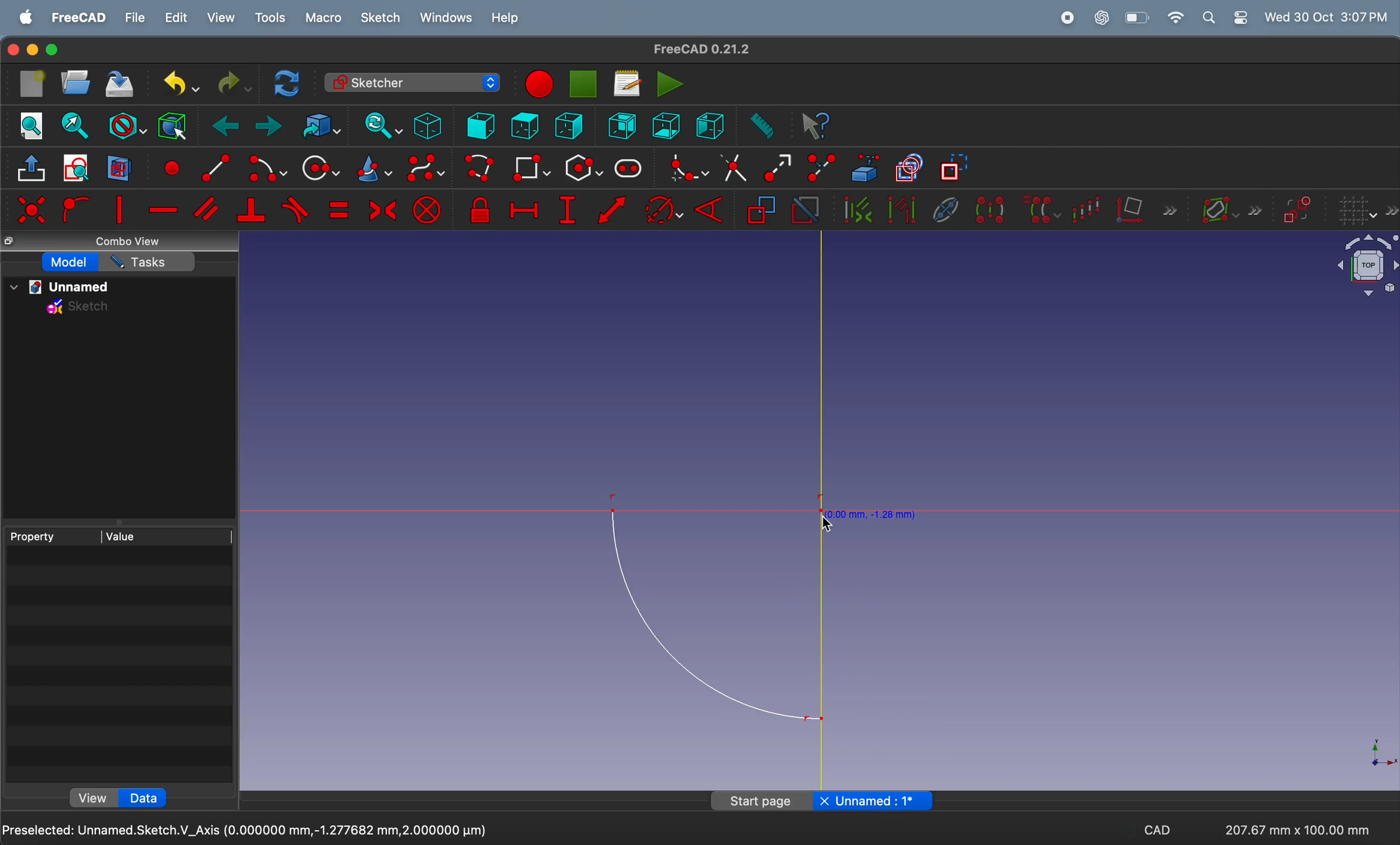 The image size is (1400, 845). Describe the element at coordinates (1103, 17) in the screenshot. I see `chatgpt` at that location.